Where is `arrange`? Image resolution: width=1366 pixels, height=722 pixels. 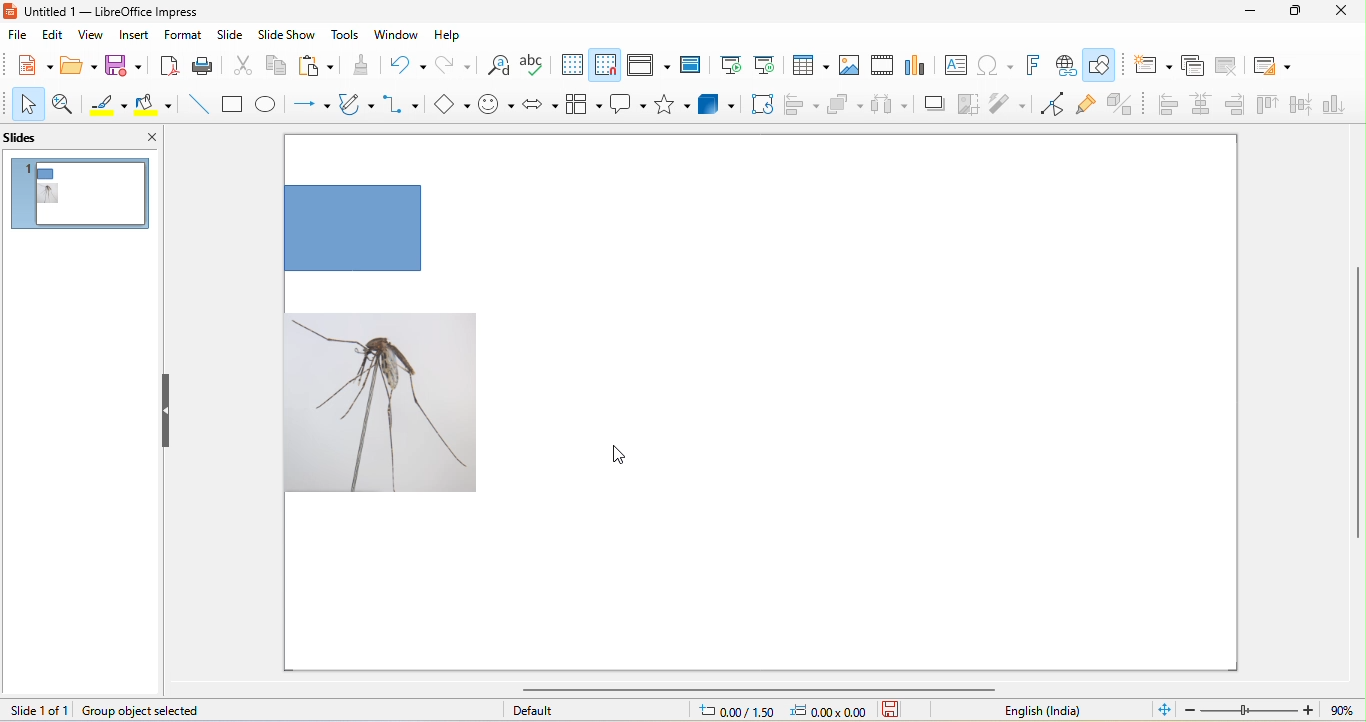 arrange is located at coordinates (845, 106).